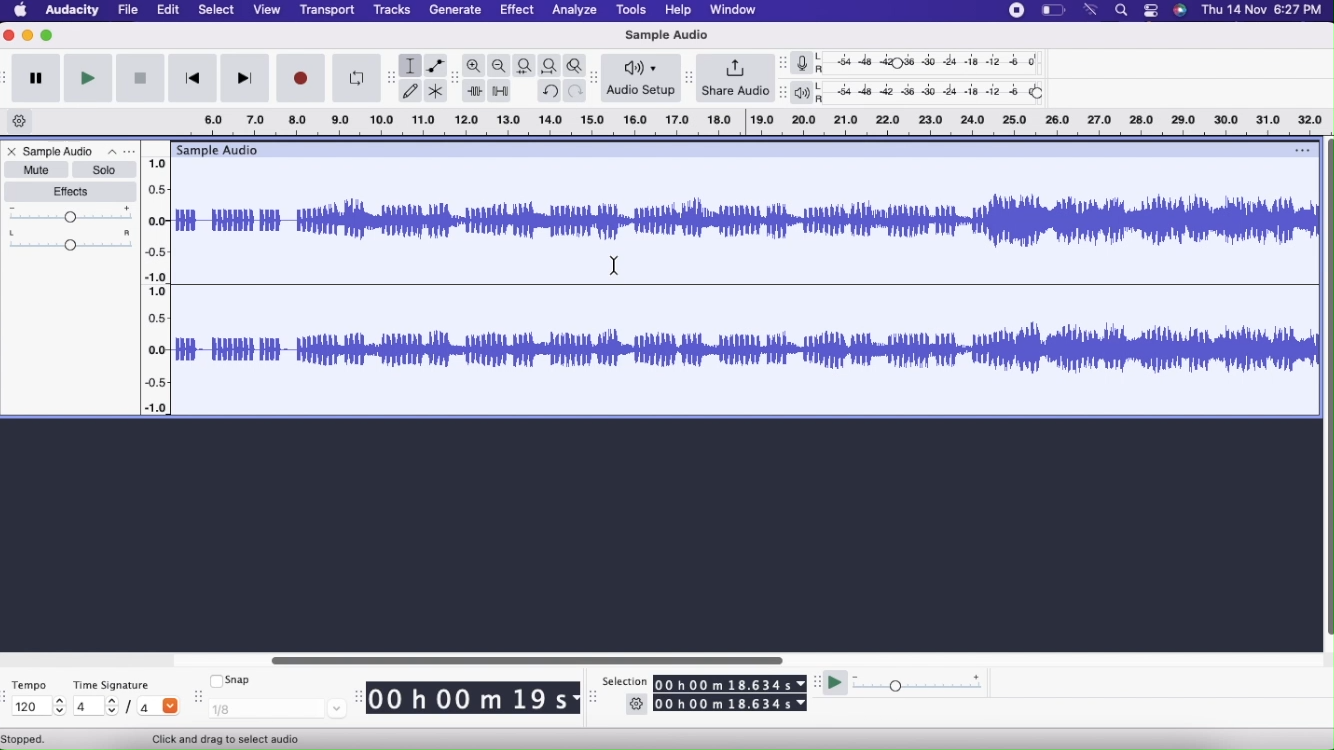 The width and height of the screenshot is (1334, 750). Describe the element at coordinates (11, 152) in the screenshot. I see `Close` at that location.